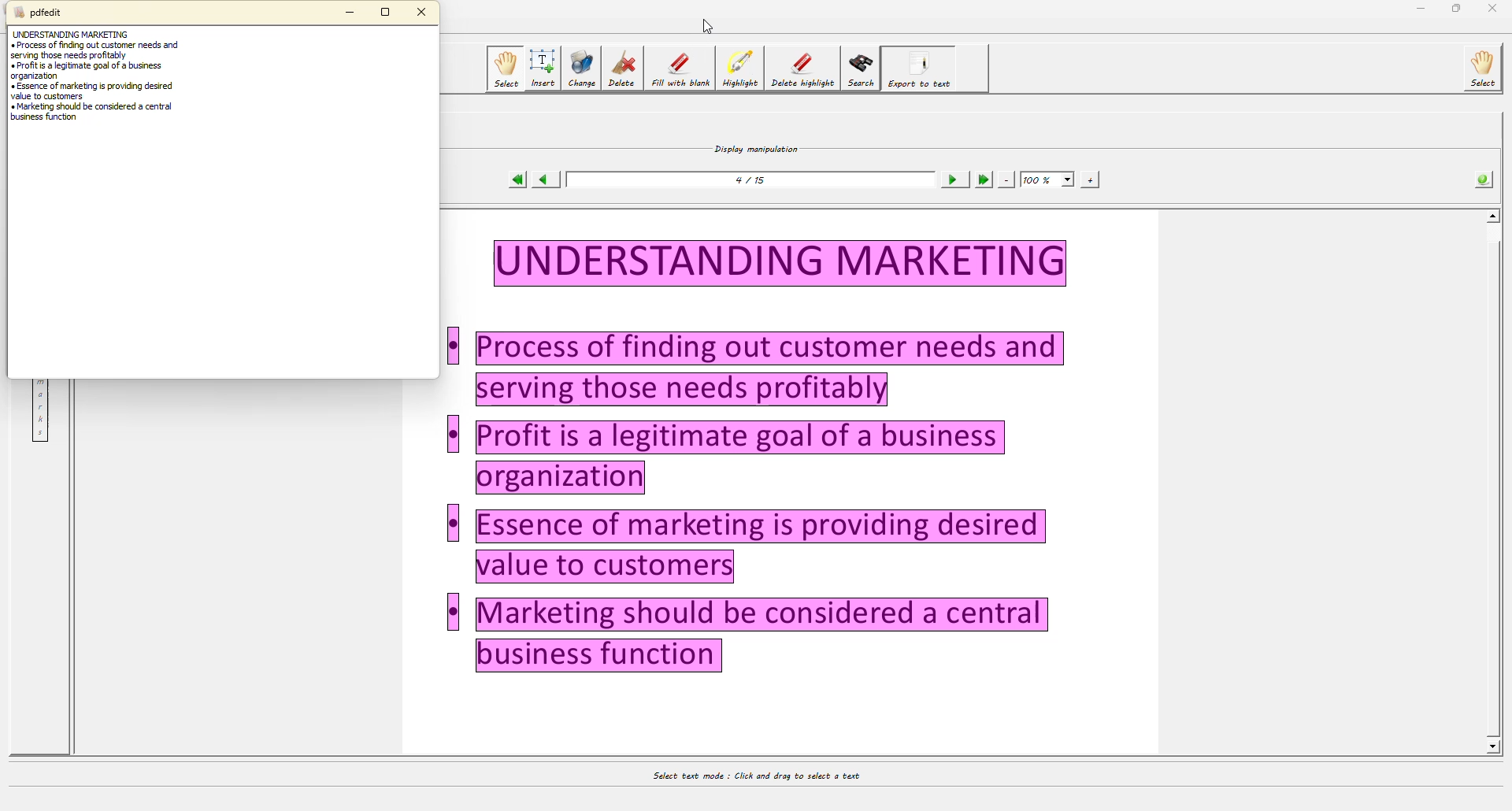 Image resolution: width=1512 pixels, height=811 pixels. I want to click on cursor, so click(706, 25).